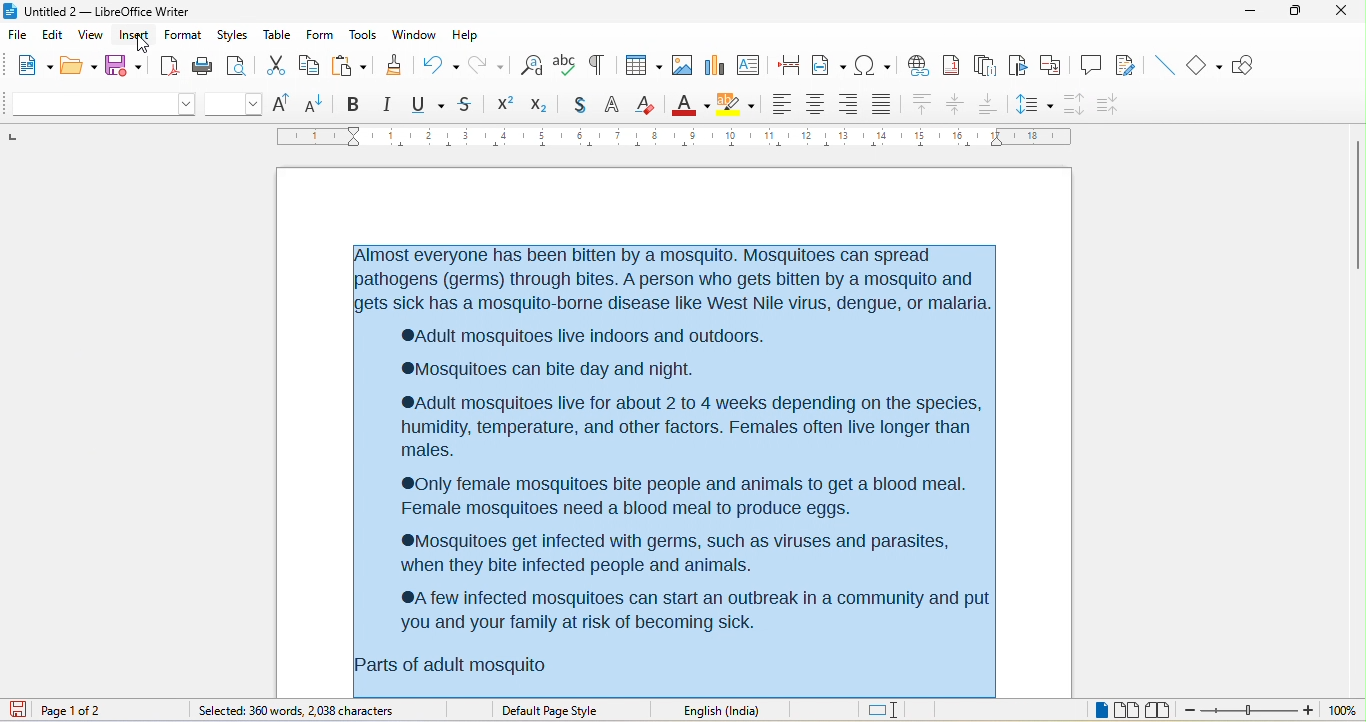 The width and height of the screenshot is (1366, 722). I want to click on align right, so click(848, 104).